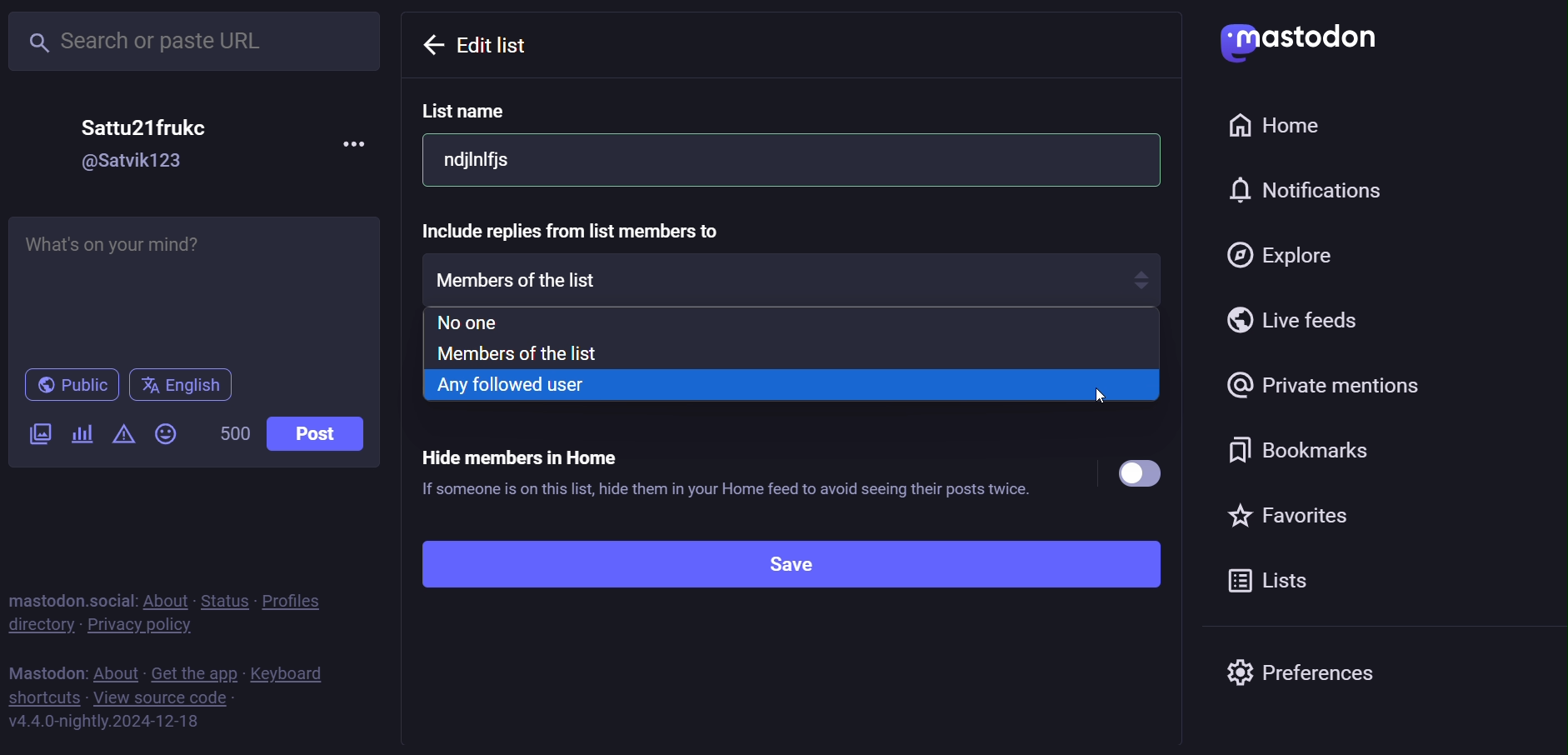 This screenshot has width=1568, height=755. I want to click on Hide members in Home ®
If someone is on this list, hide them in your Home feed to avoid seeing their posts twice., so click(795, 472).